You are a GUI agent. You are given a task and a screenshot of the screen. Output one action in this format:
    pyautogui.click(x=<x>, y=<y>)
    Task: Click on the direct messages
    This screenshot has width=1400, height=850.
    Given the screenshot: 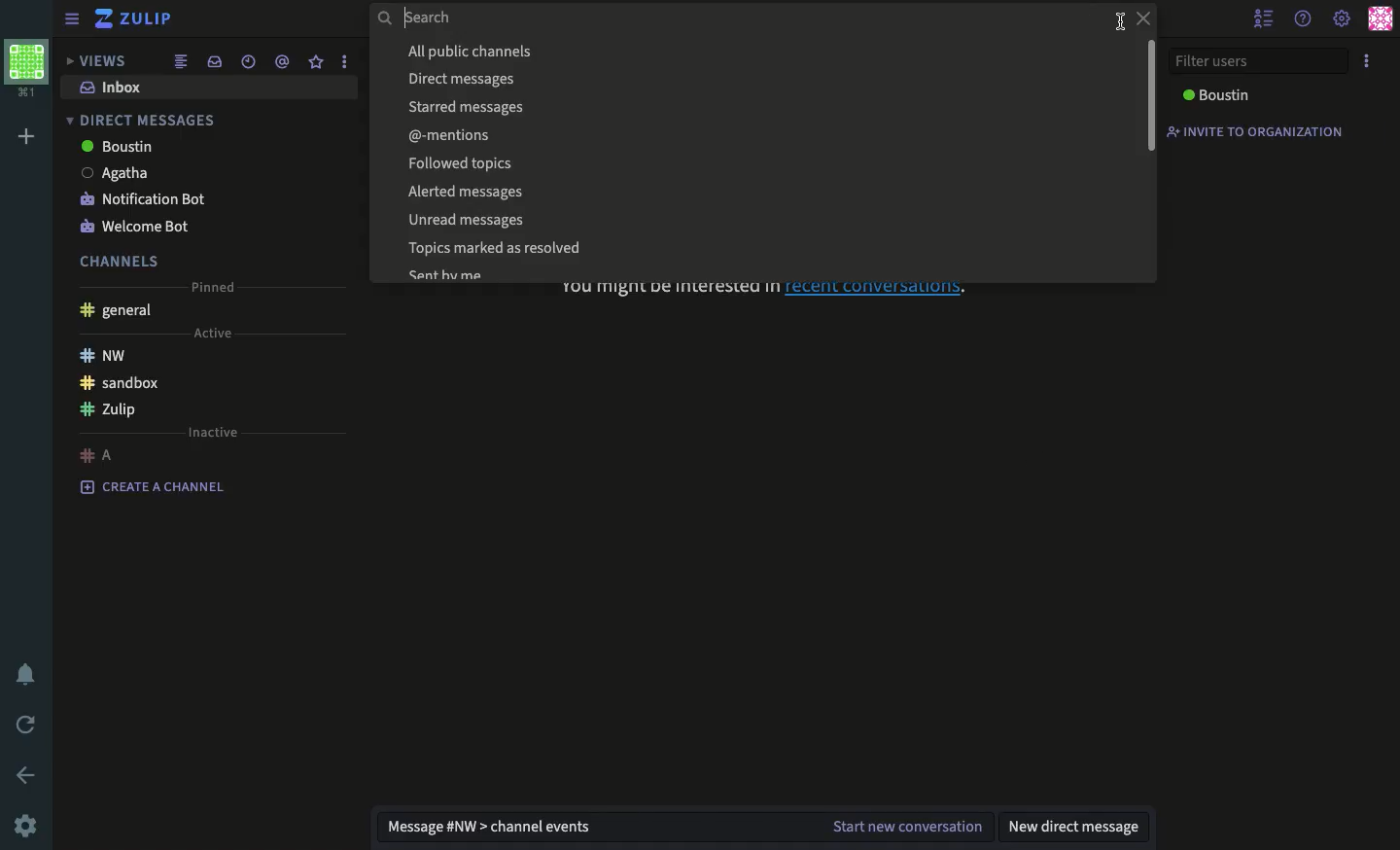 What is the action you would take?
    pyautogui.click(x=140, y=122)
    